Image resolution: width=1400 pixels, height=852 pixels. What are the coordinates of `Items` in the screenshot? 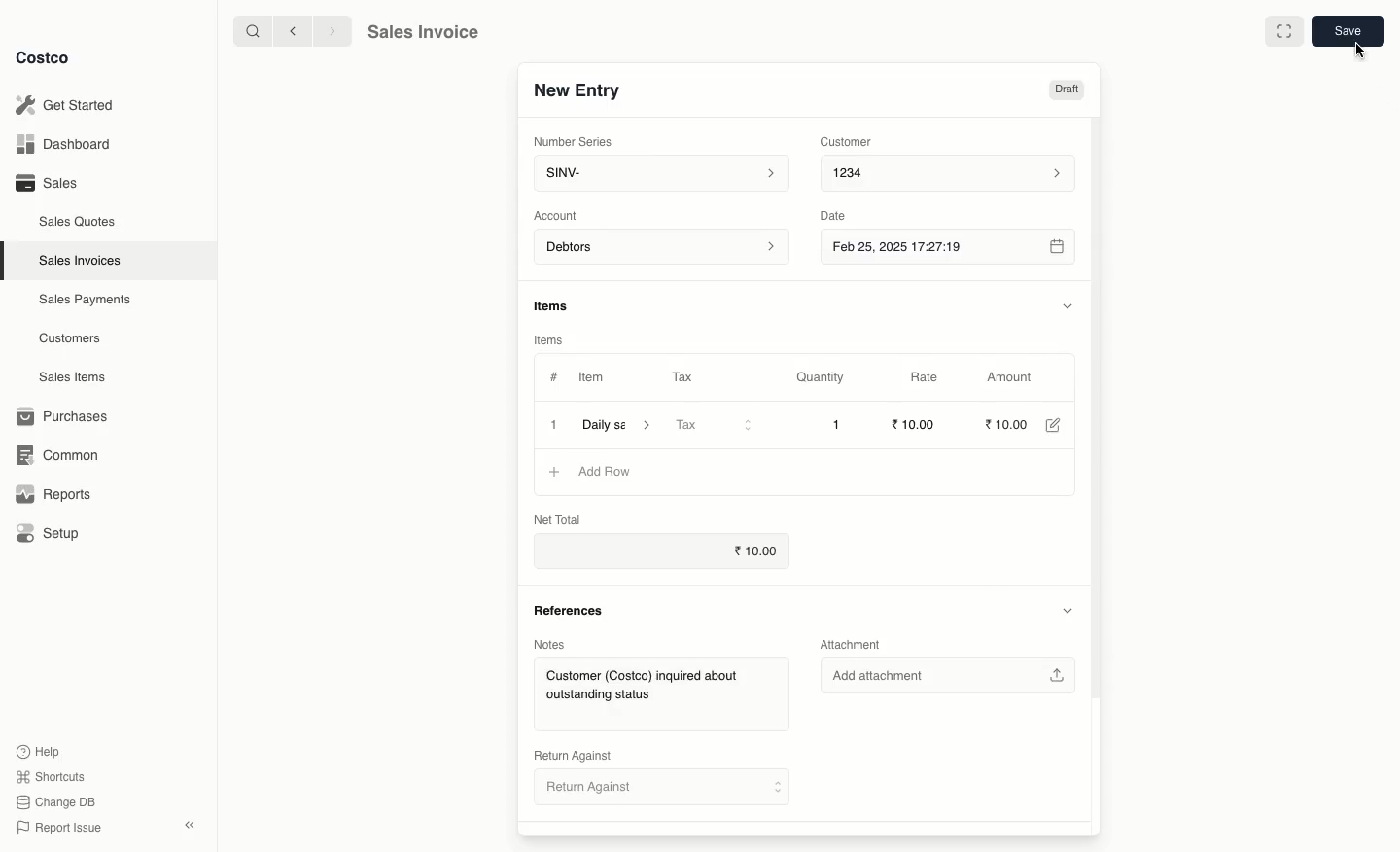 It's located at (549, 337).